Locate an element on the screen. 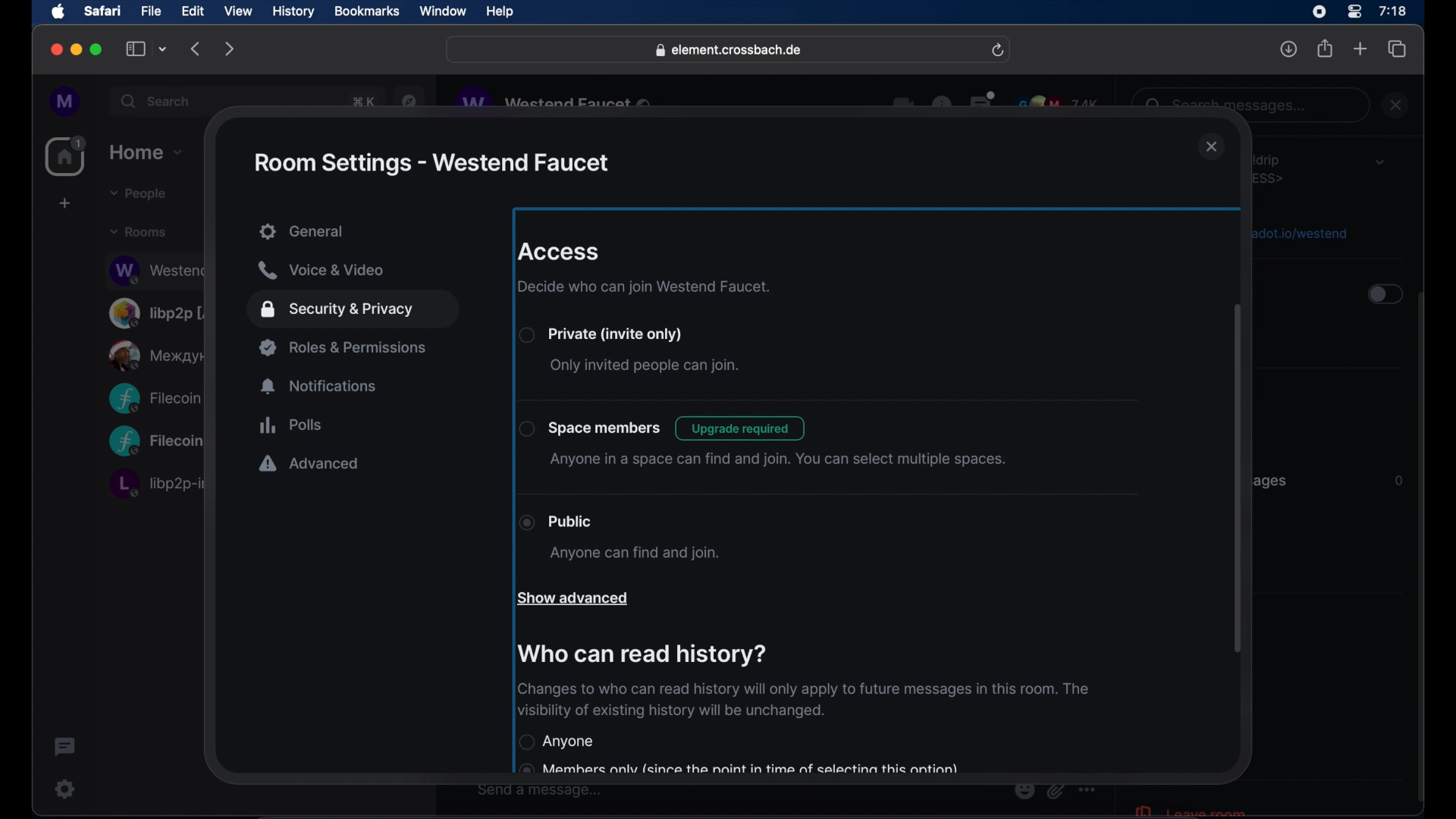  obscure icons is located at coordinates (996, 102).